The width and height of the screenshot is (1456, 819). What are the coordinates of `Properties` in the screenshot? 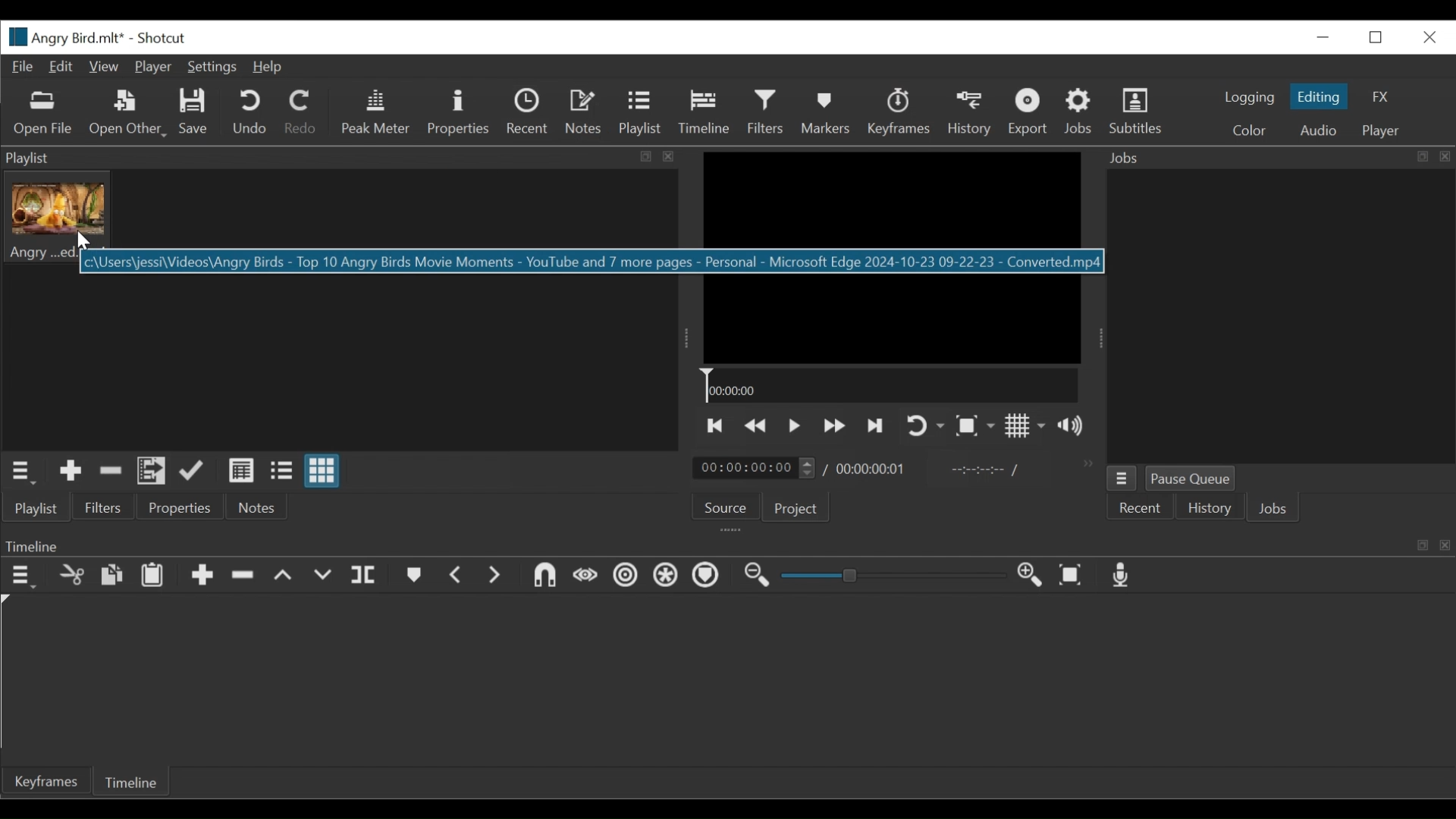 It's located at (179, 507).